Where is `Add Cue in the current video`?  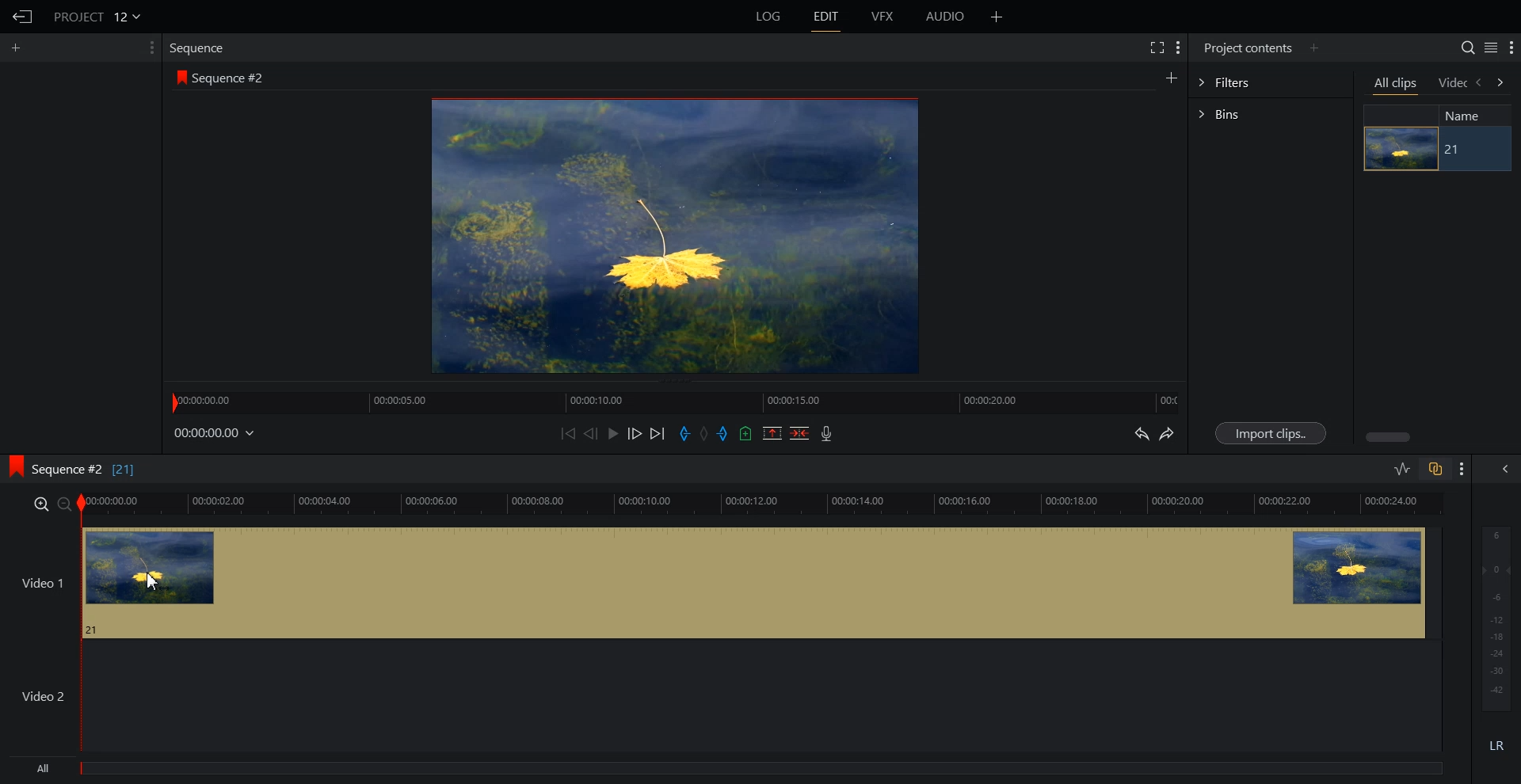 Add Cue in the current video is located at coordinates (746, 432).